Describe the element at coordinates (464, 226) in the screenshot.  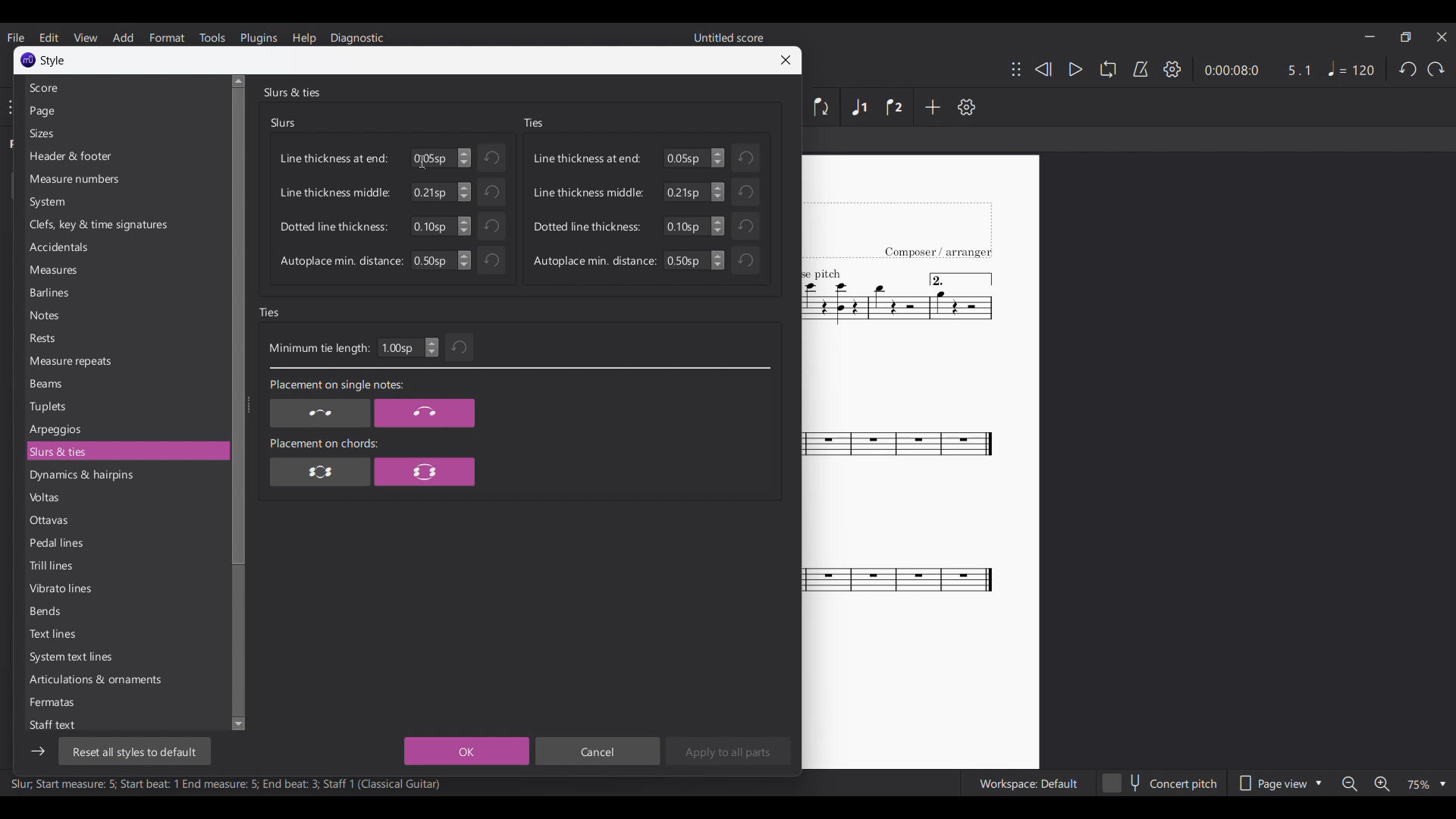
I see `Increase/Decrease dotted line thickness` at that location.